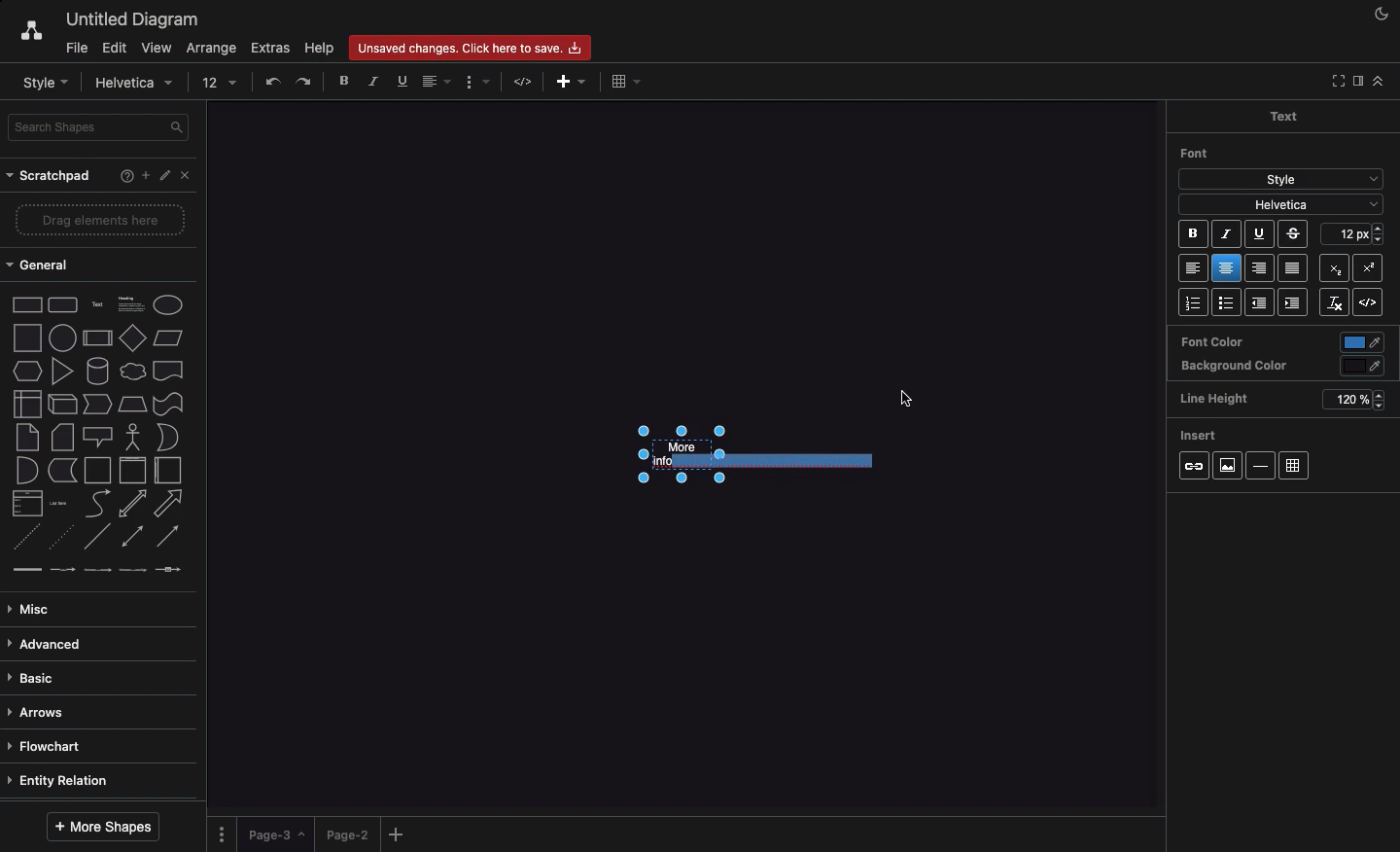 This screenshot has width=1400, height=852. Describe the element at coordinates (374, 81) in the screenshot. I see `Italics` at that location.